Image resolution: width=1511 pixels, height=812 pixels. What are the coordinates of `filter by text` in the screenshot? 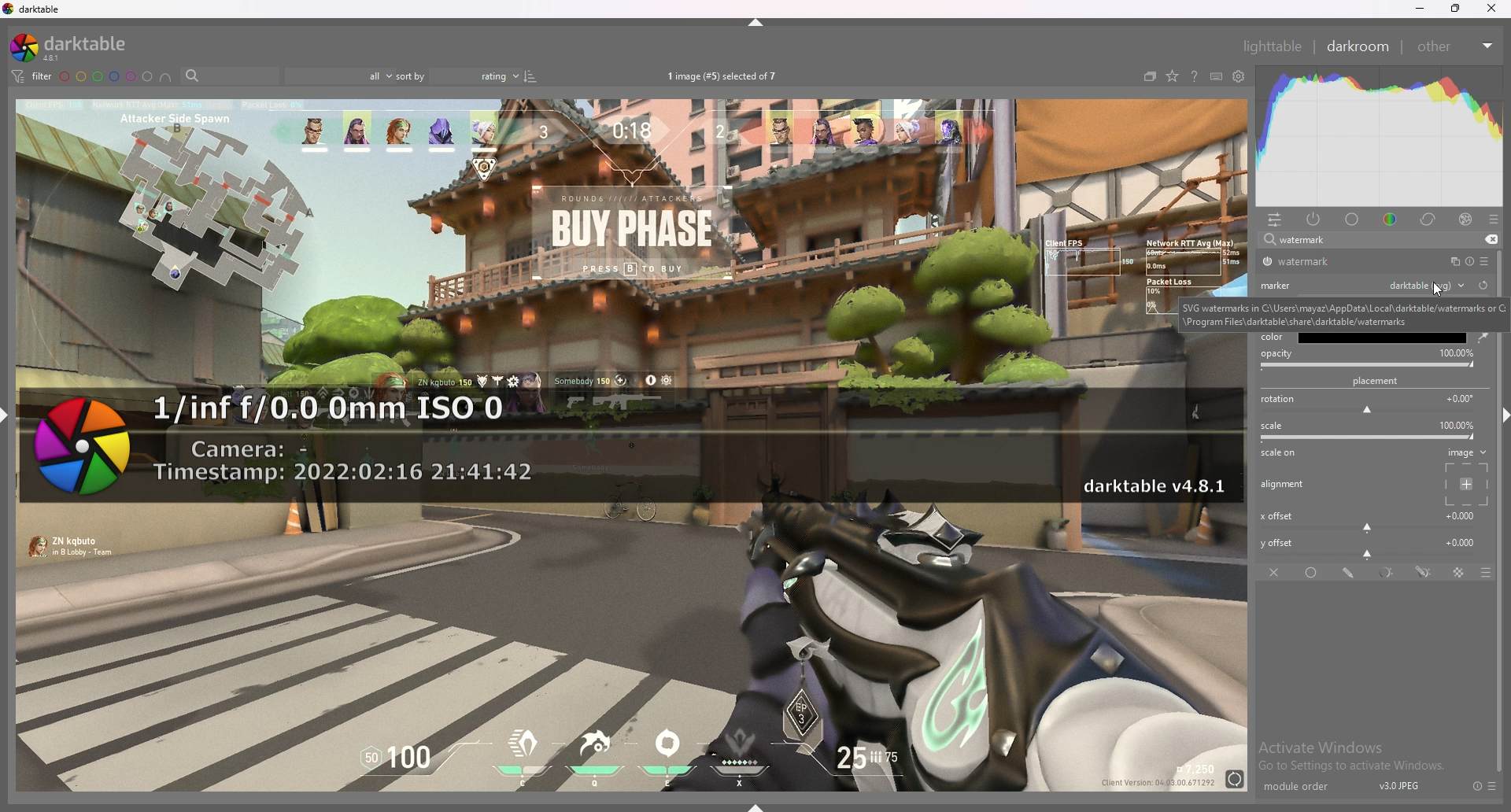 It's located at (230, 76).